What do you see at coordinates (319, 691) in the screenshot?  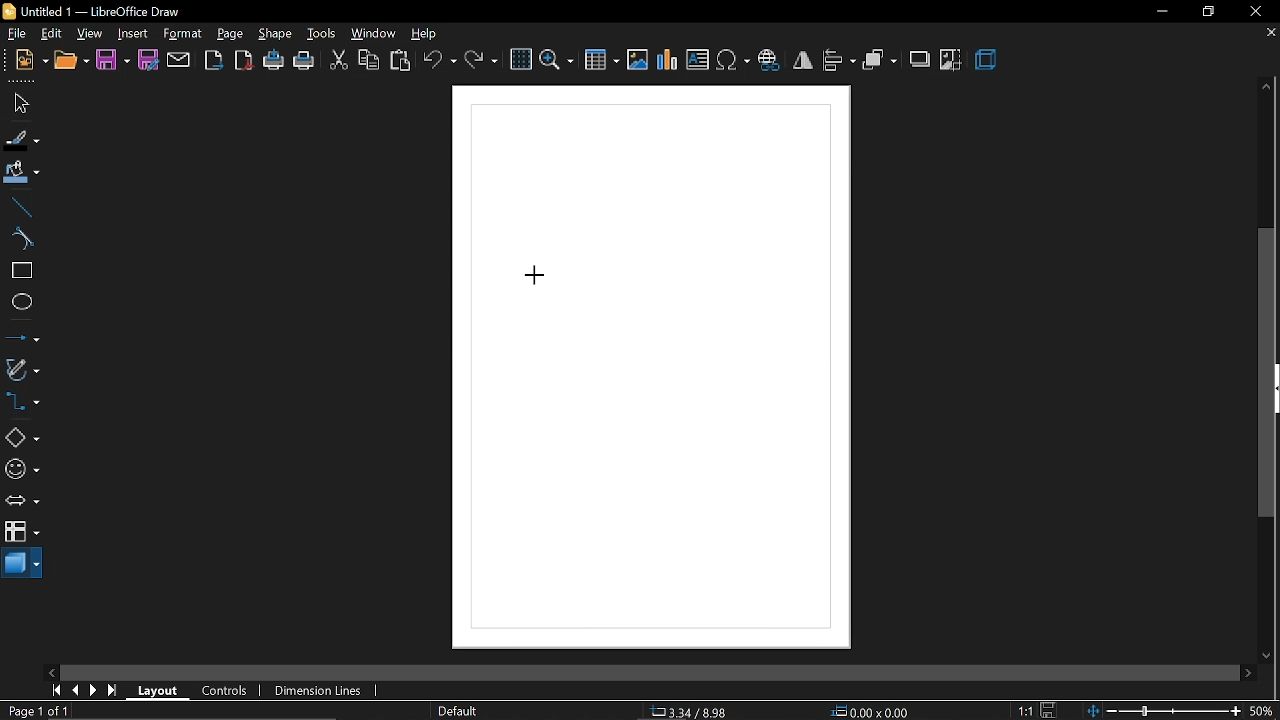 I see `dimension lines` at bounding box center [319, 691].